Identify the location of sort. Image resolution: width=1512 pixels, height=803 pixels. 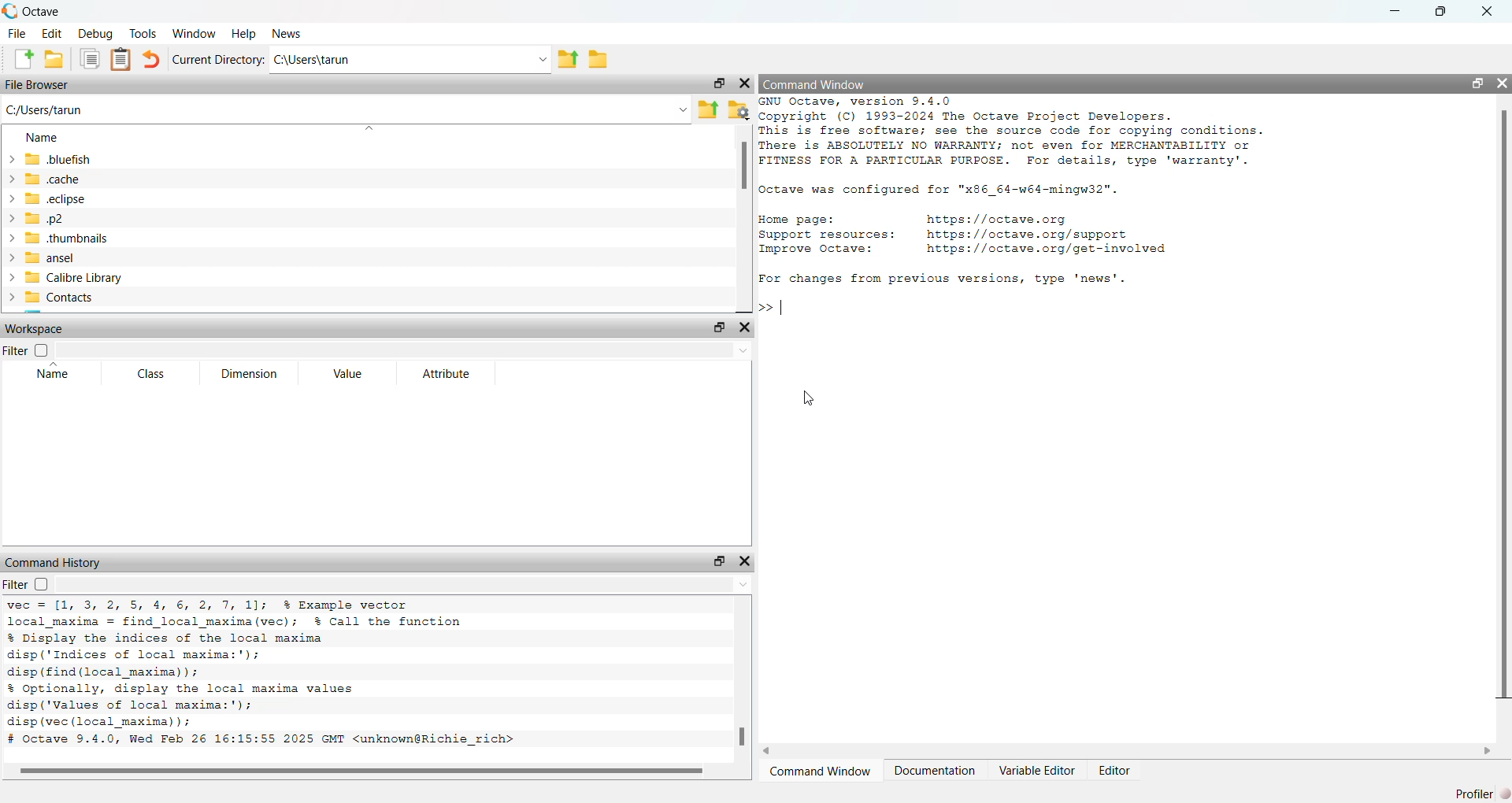
(367, 128).